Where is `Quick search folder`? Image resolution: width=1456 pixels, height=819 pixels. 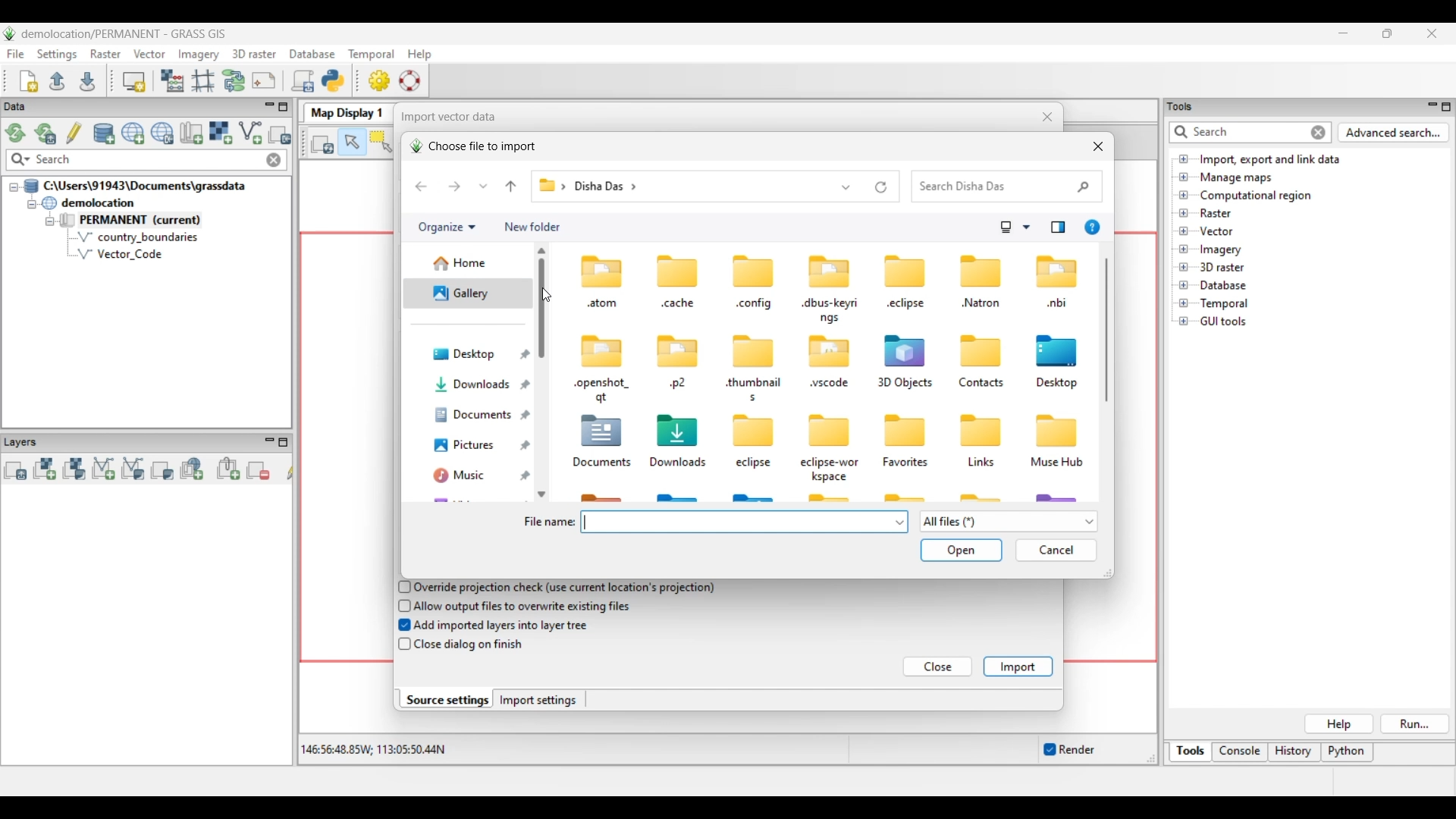
Quick search folder is located at coordinates (1007, 187).